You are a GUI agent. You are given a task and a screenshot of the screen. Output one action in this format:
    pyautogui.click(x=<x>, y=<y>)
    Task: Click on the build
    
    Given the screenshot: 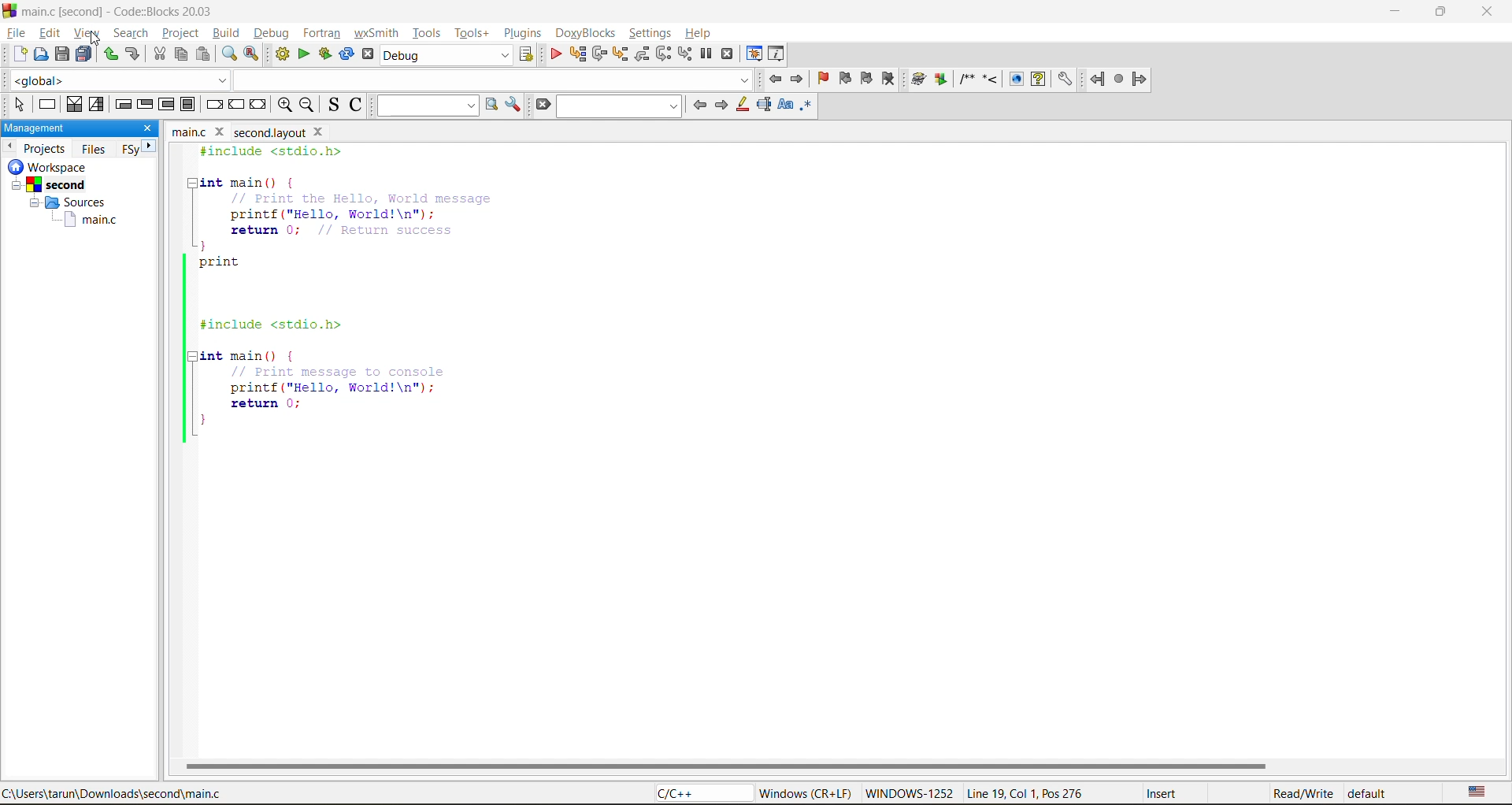 What is the action you would take?
    pyautogui.click(x=281, y=54)
    